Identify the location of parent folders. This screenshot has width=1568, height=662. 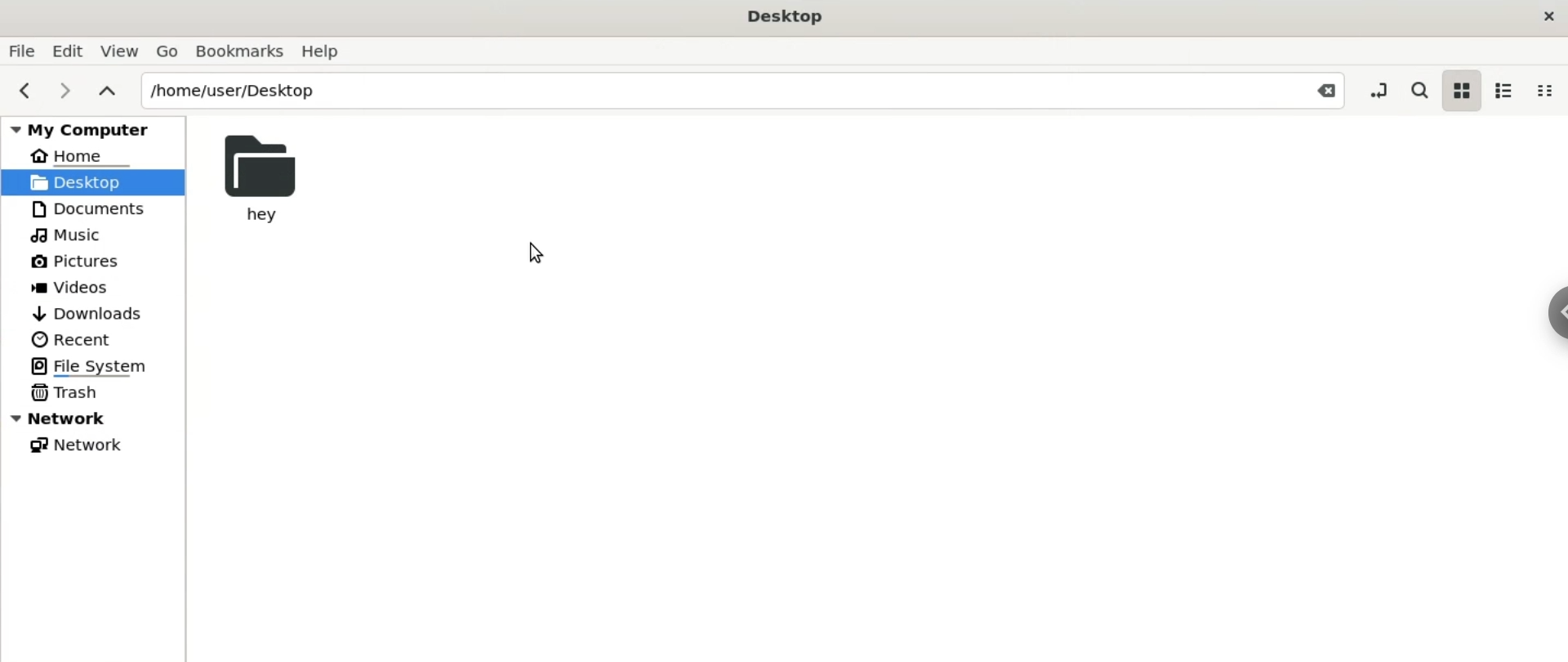
(114, 91).